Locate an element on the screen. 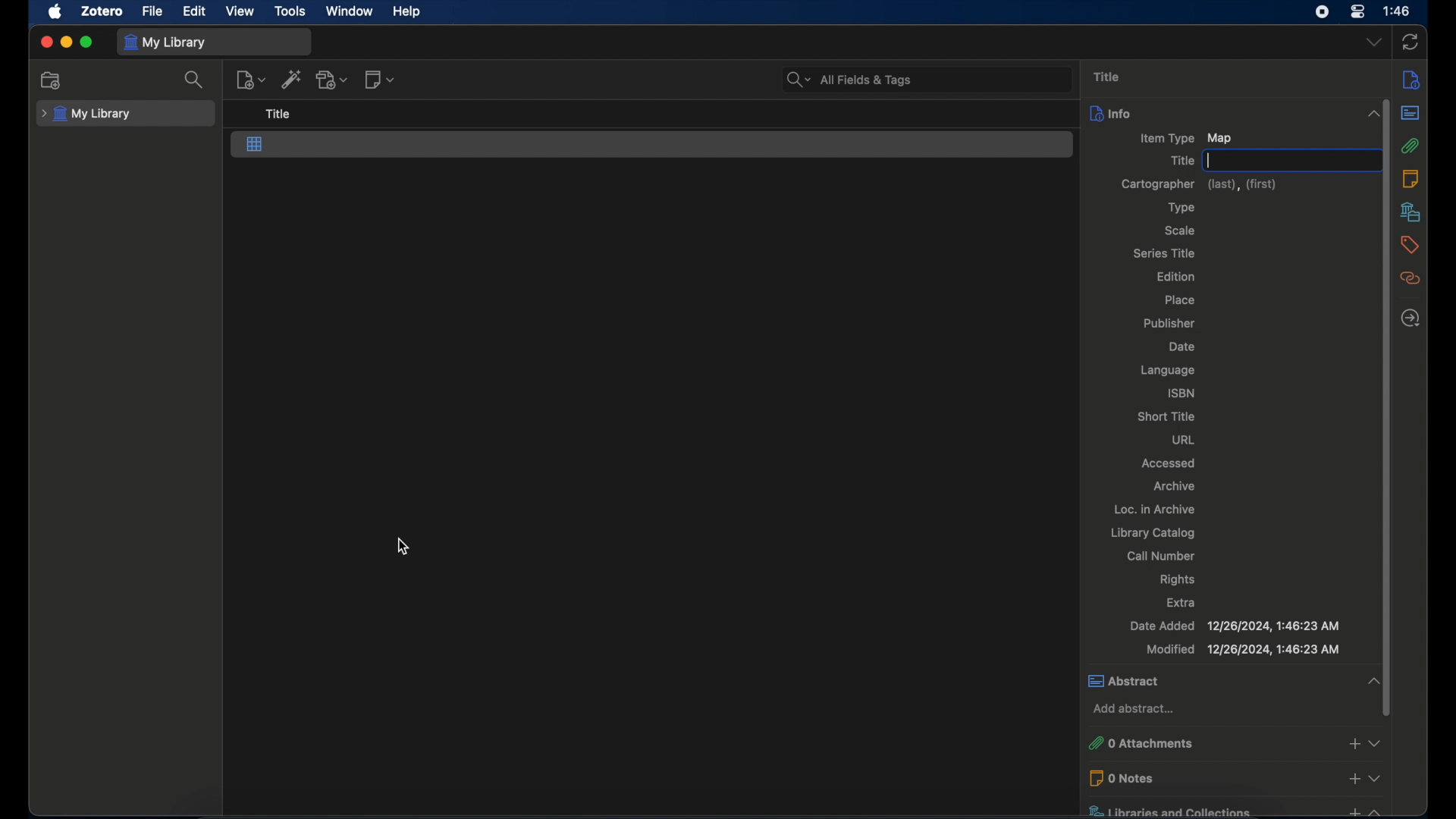  title is located at coordinates (1182, 161).